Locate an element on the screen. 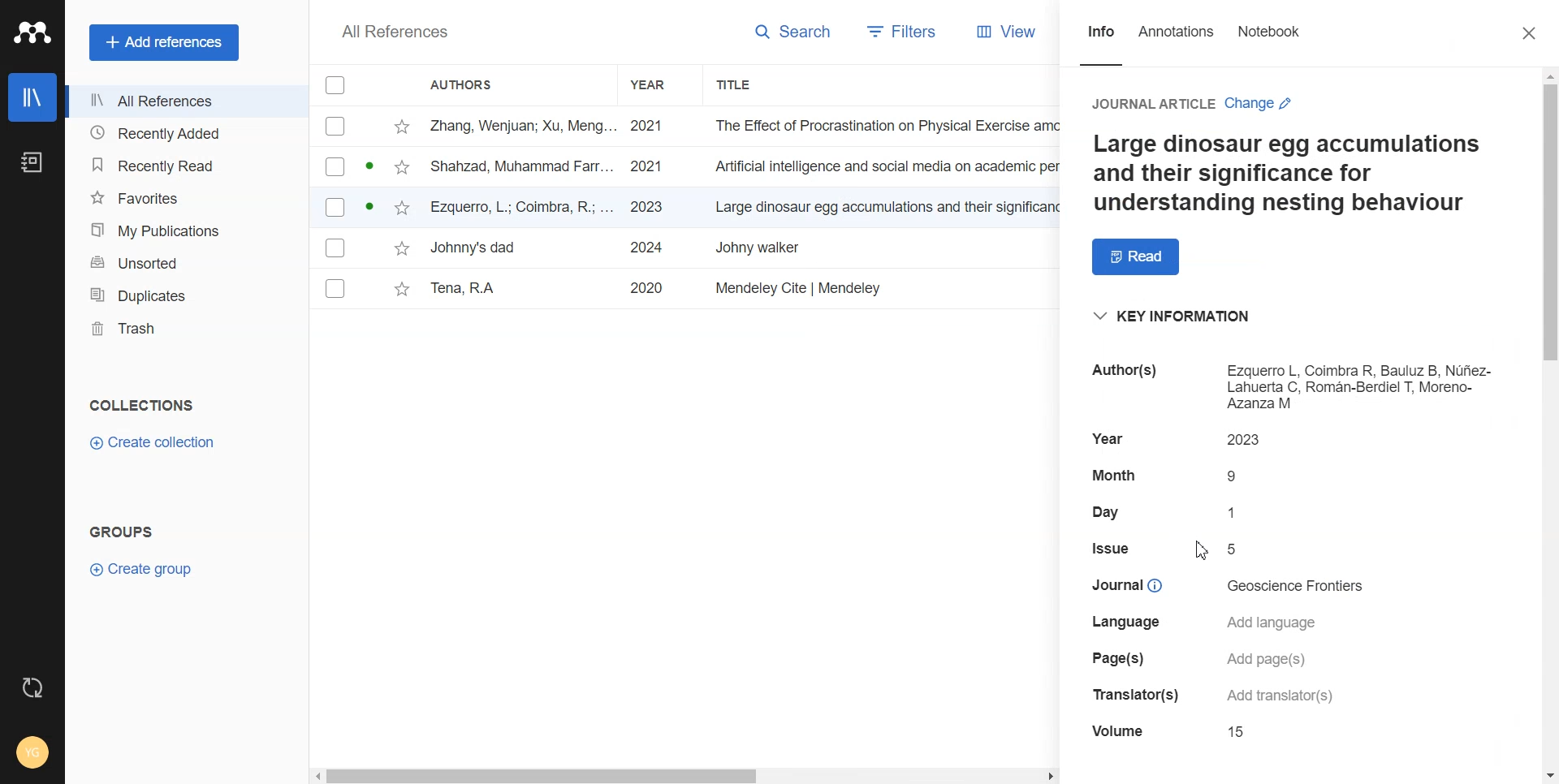  Trash is located at coordinates (186, 328).